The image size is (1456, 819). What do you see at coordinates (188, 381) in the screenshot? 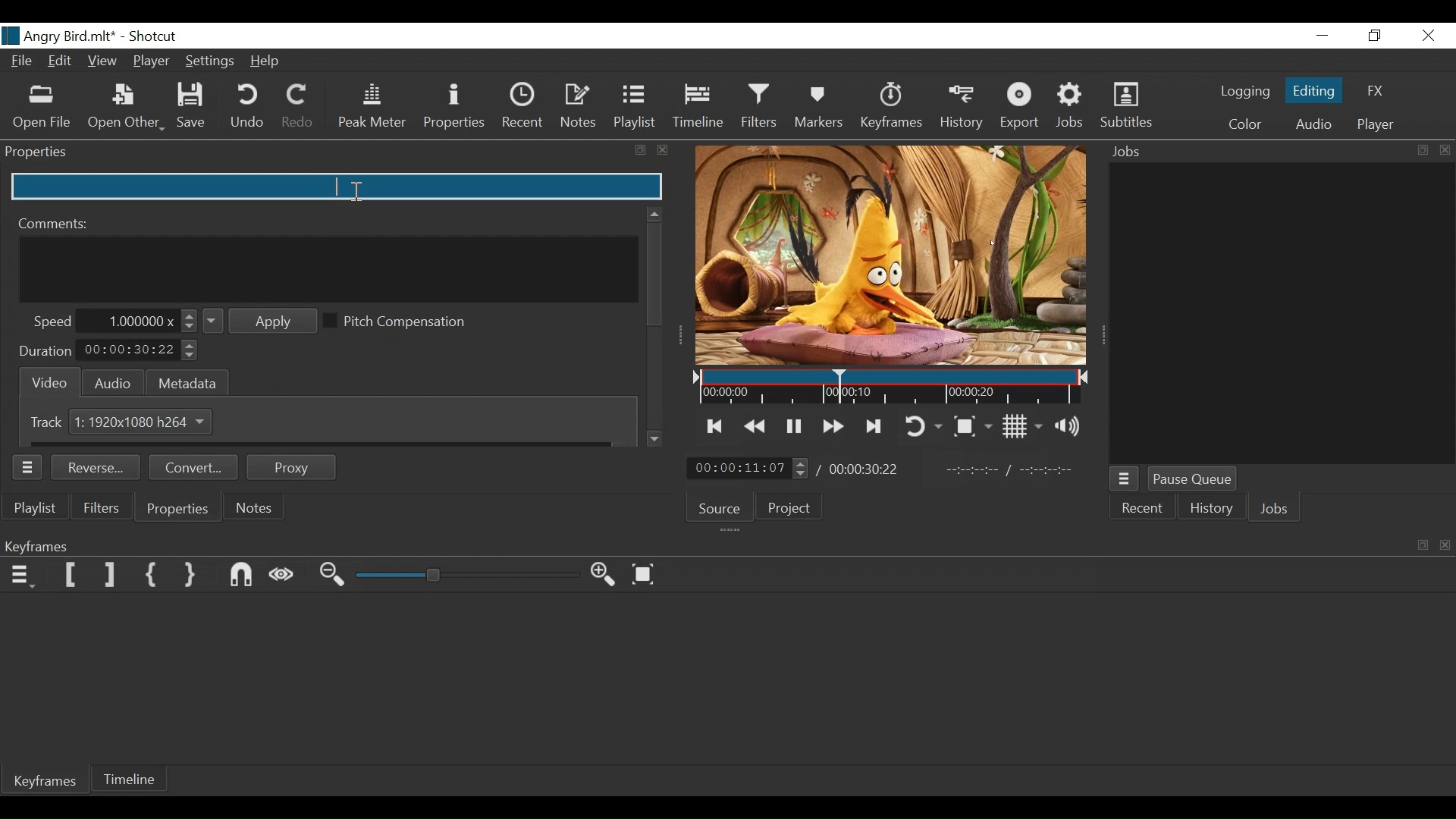
I see `Metadata` at bounding box center [188, 381].